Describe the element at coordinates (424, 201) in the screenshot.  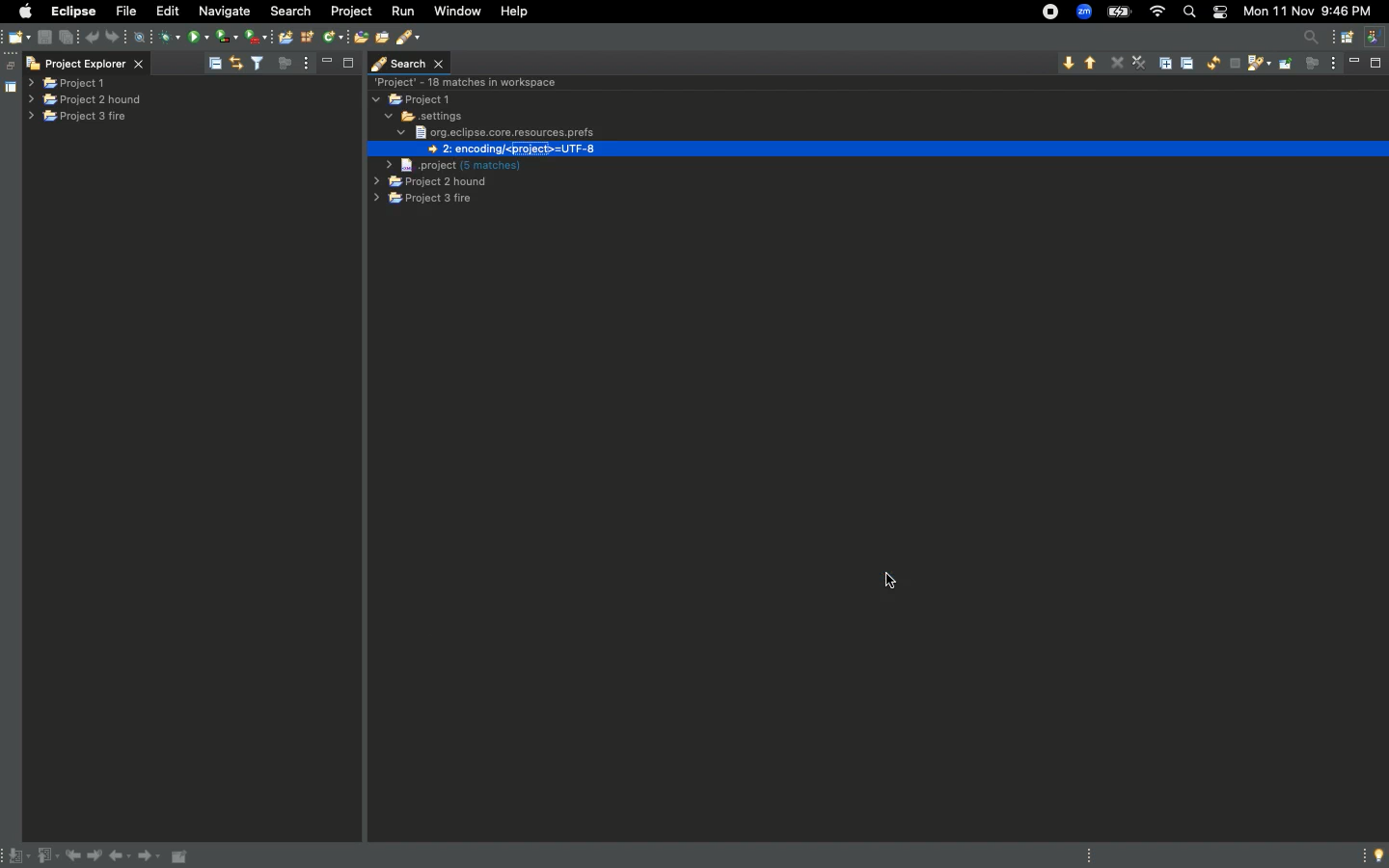
I see `Project 3` at that location.